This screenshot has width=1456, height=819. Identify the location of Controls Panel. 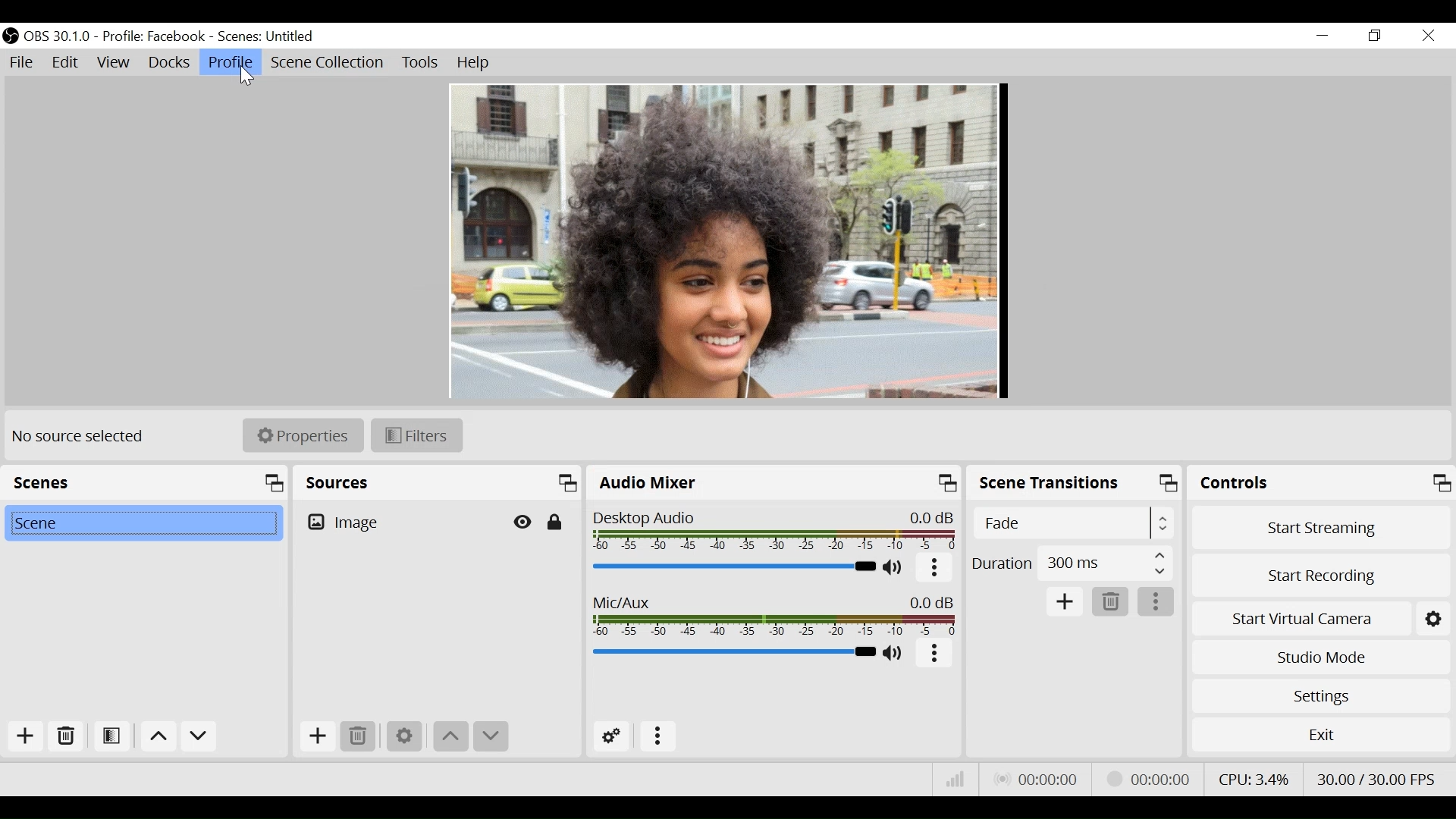
(1323, 483).